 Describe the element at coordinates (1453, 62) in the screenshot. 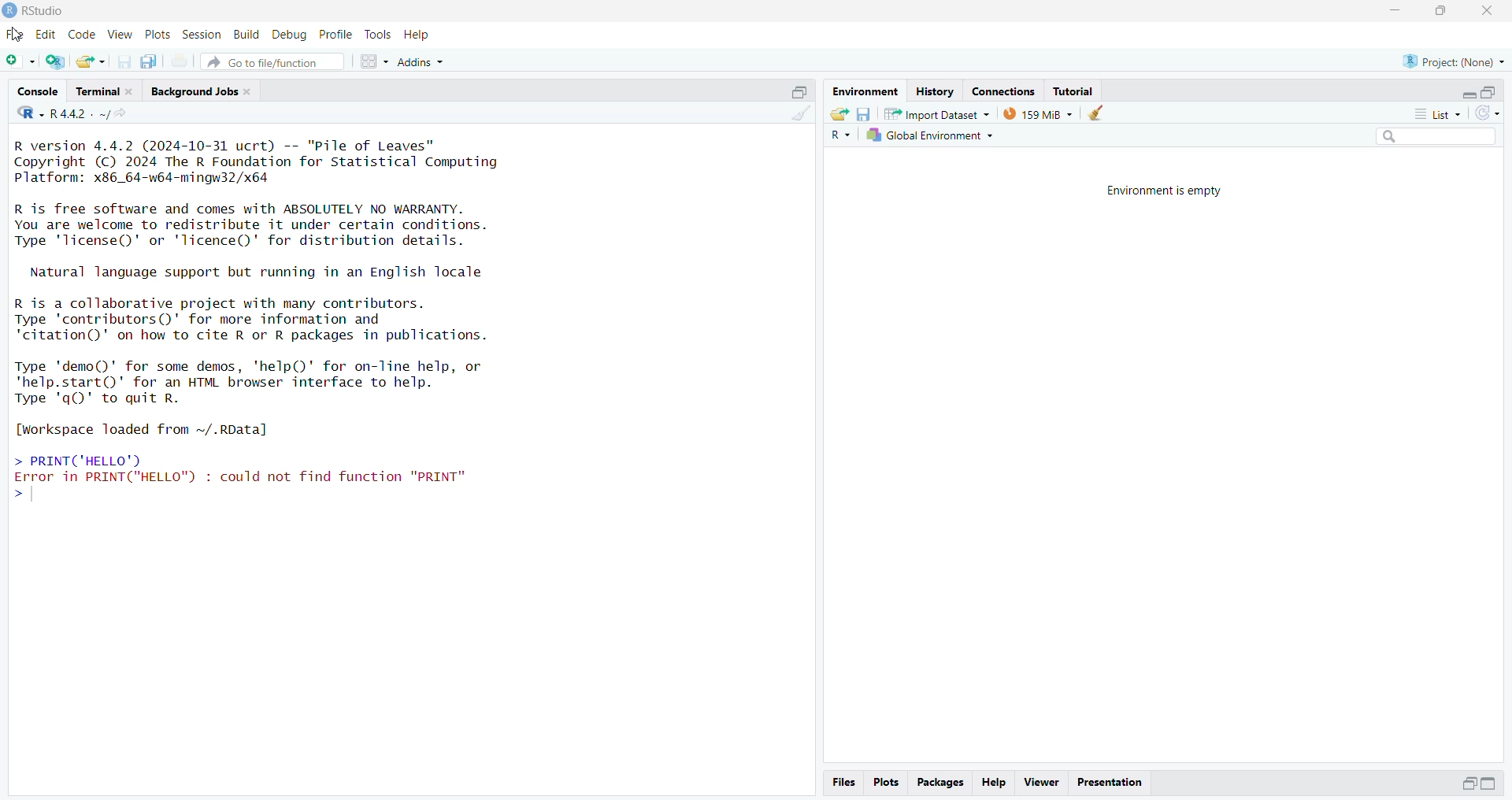

I see `project(None)` at that location.